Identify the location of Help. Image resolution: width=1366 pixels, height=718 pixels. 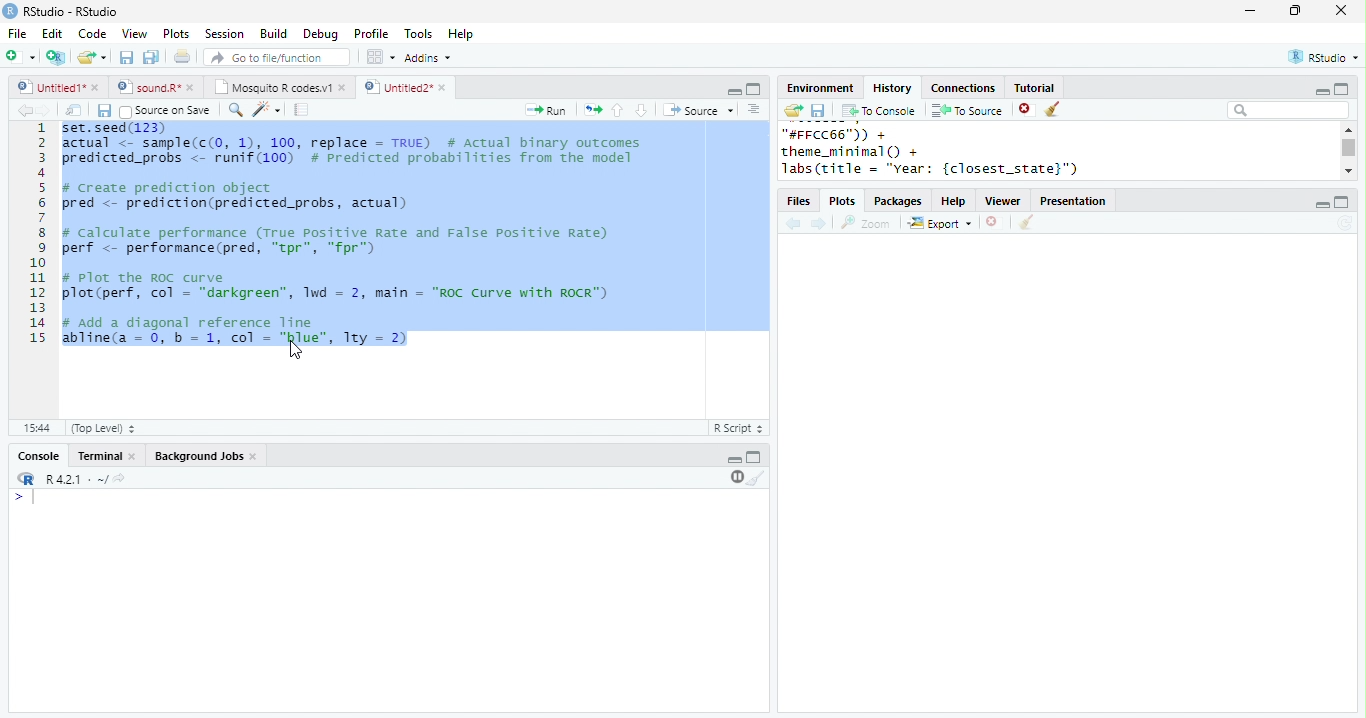
(461, 35).